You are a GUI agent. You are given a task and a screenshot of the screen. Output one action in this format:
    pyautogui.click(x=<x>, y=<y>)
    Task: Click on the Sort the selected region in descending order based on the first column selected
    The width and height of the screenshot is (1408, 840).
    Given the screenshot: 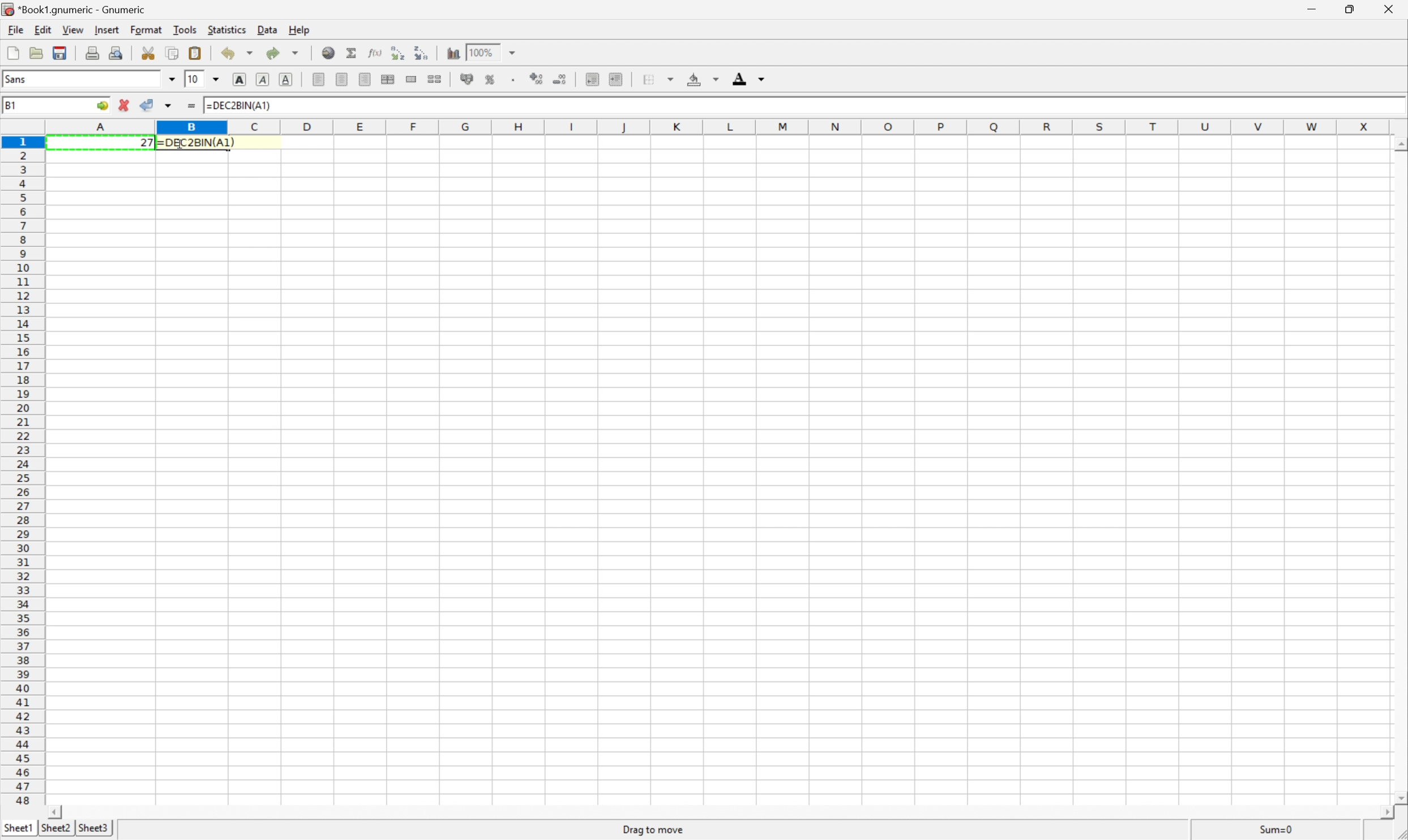 What is the action you would take?
    pyautogui.click(x=426, y=53)
    